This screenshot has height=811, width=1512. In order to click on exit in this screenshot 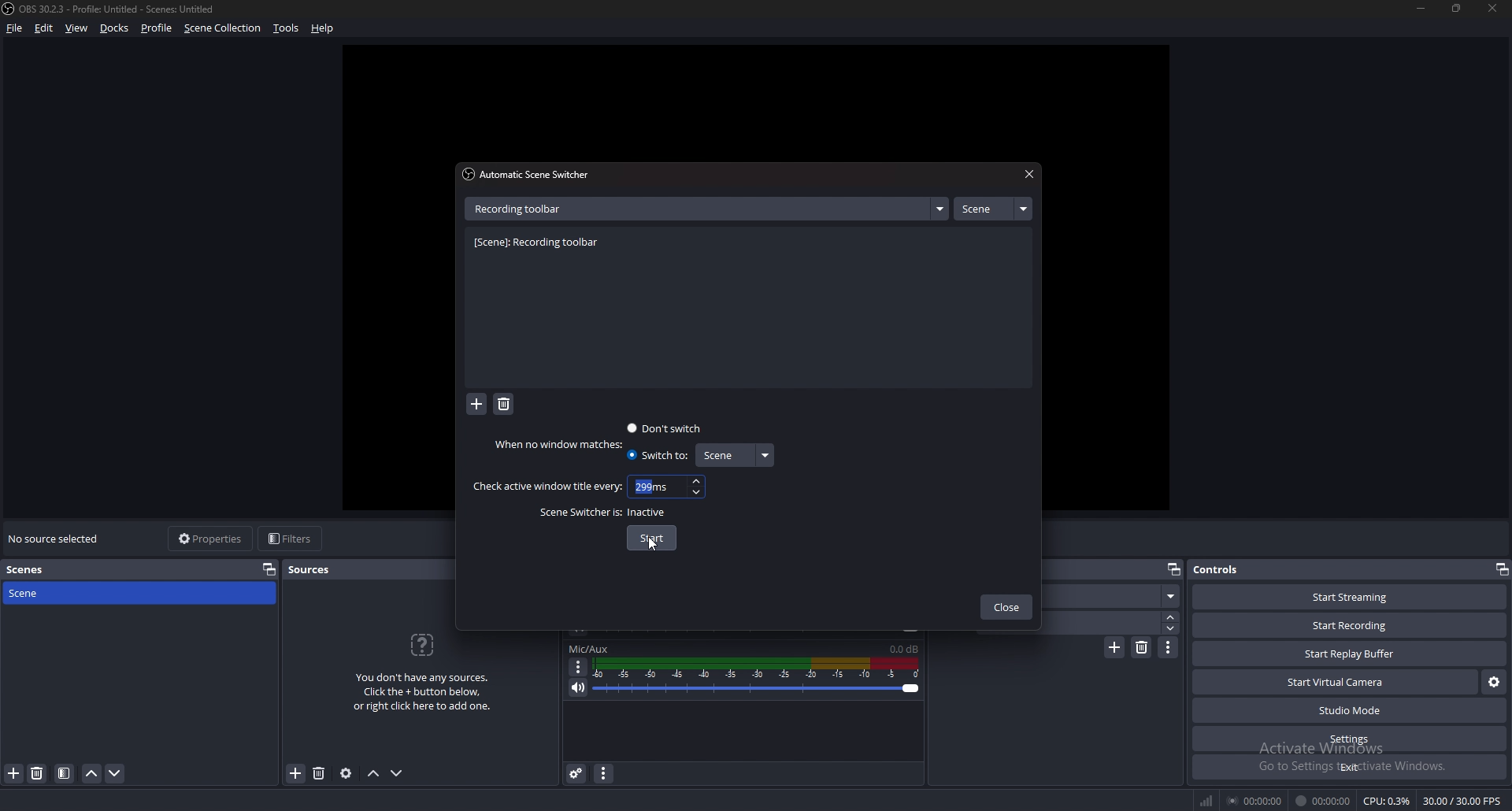, I will do `click(1350, 767)`.